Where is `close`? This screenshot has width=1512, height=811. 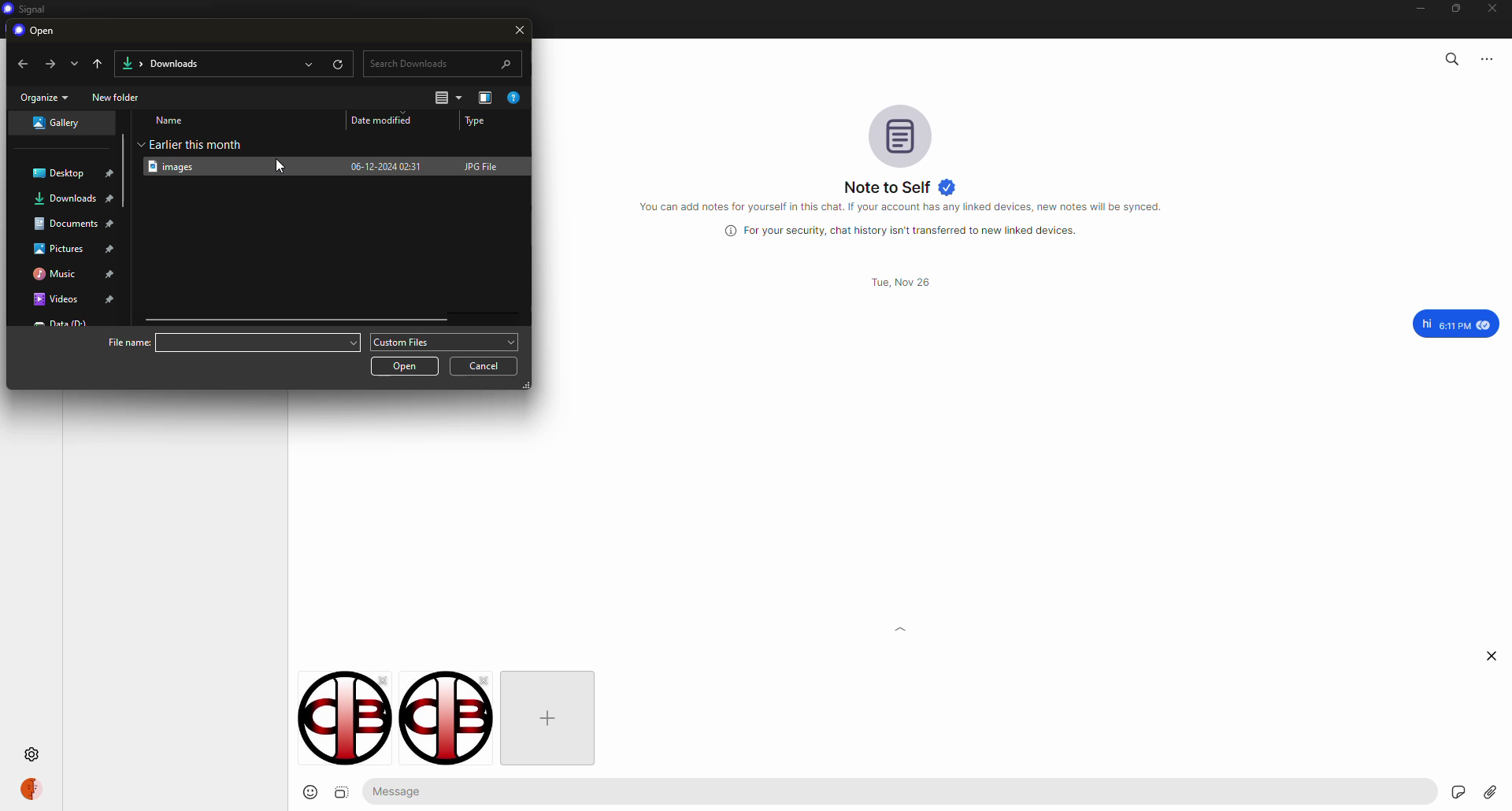 close is located at coordinates (1494, 655).